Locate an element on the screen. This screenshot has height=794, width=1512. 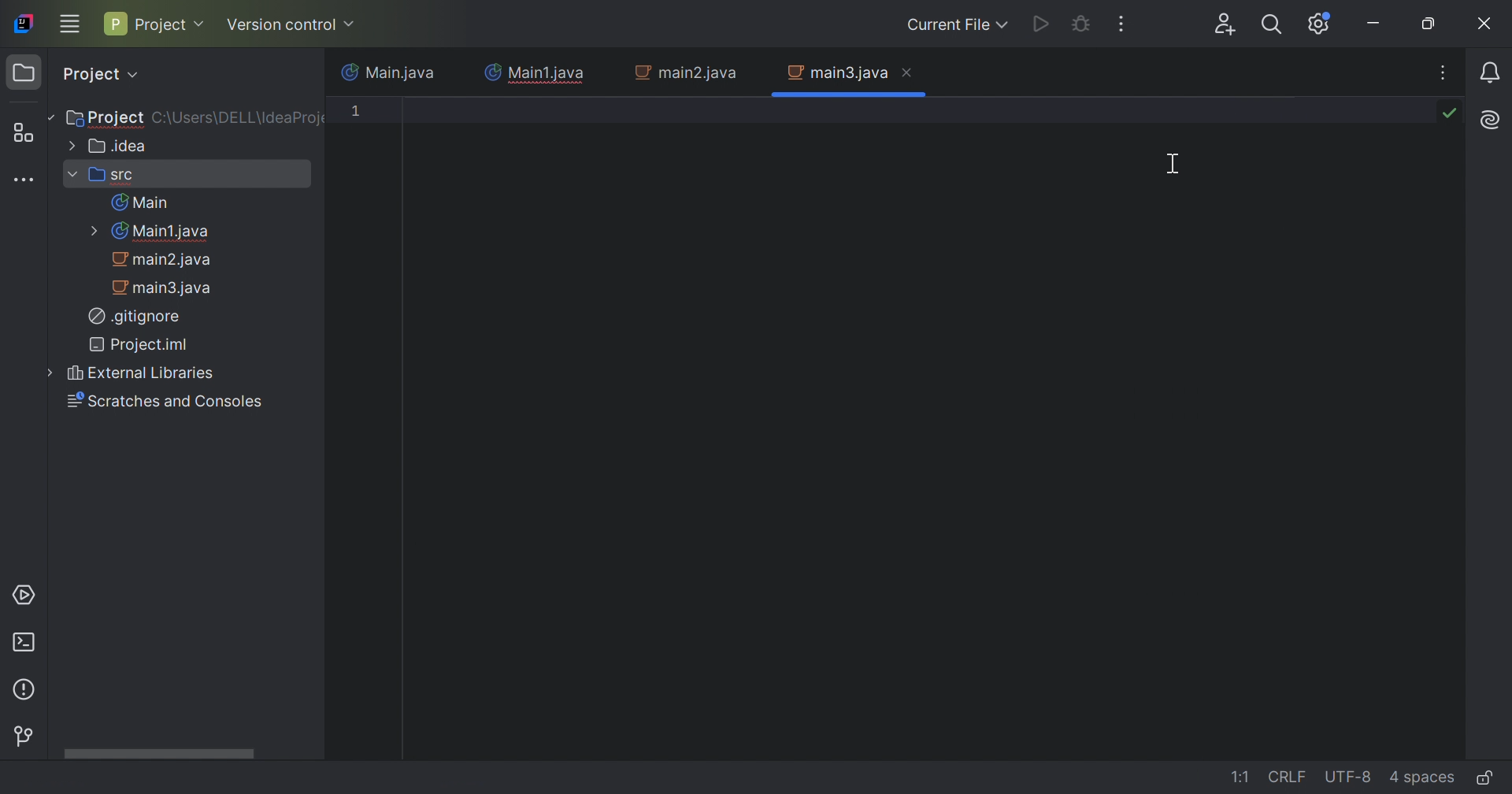
Structure is located at coordinates (21, 132).